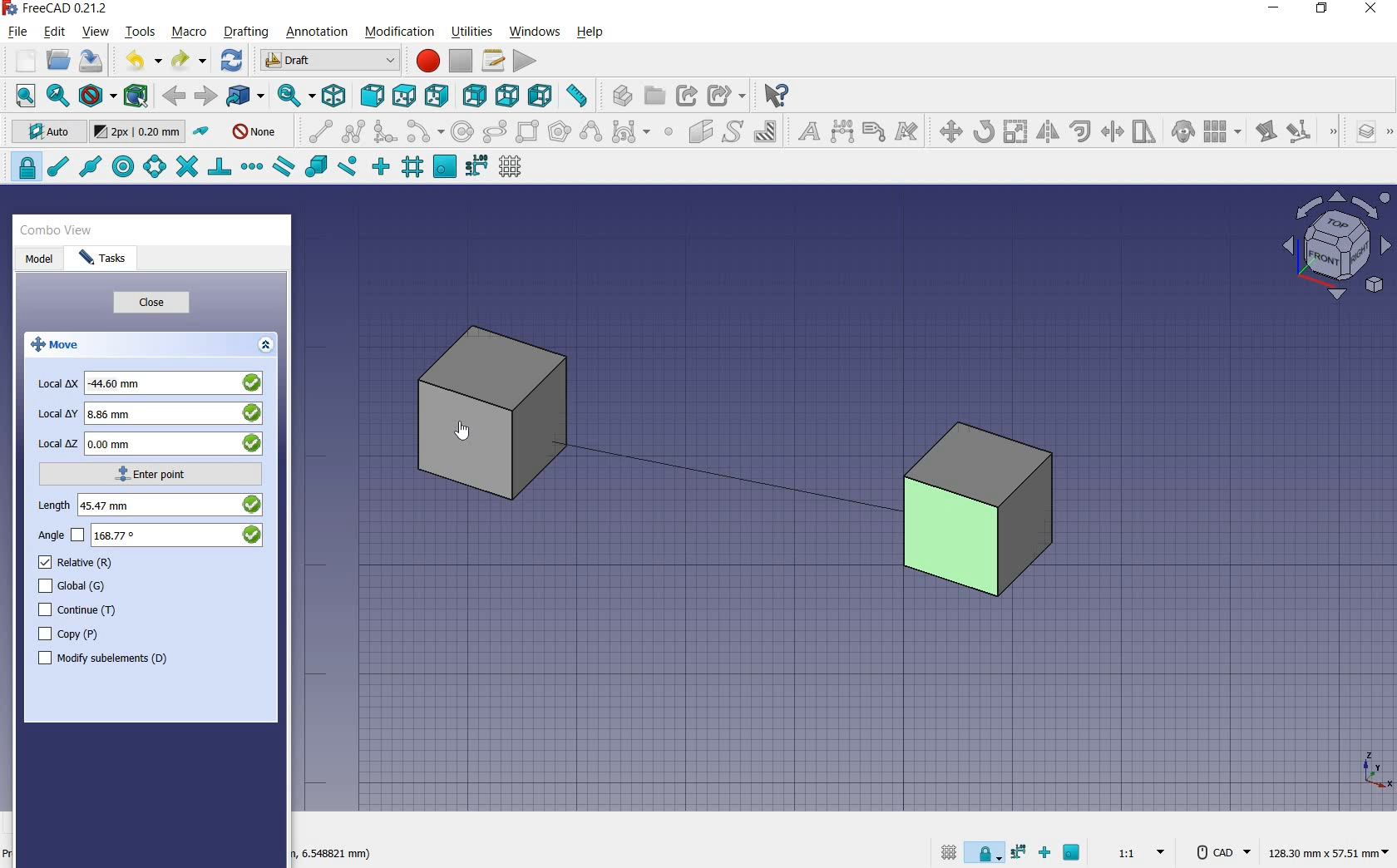 Image resolution: width=1397 pixels, height=868 pixels. What do you see at coordinates (1140, 852) in the screenshot?
I see `set scale` at bounding box center [1140, 852].